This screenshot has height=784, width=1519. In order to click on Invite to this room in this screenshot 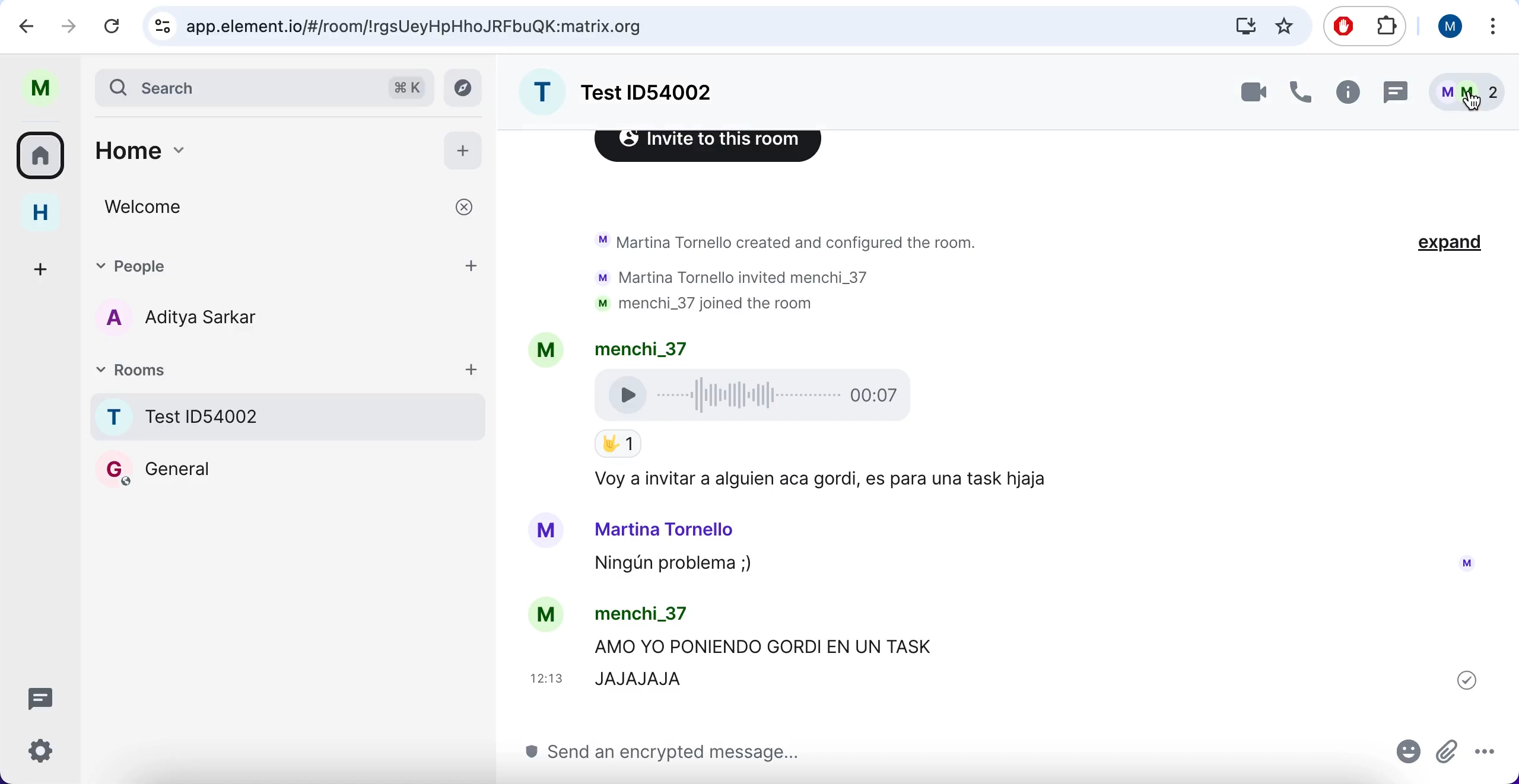, I will do `click(710, 148)`.